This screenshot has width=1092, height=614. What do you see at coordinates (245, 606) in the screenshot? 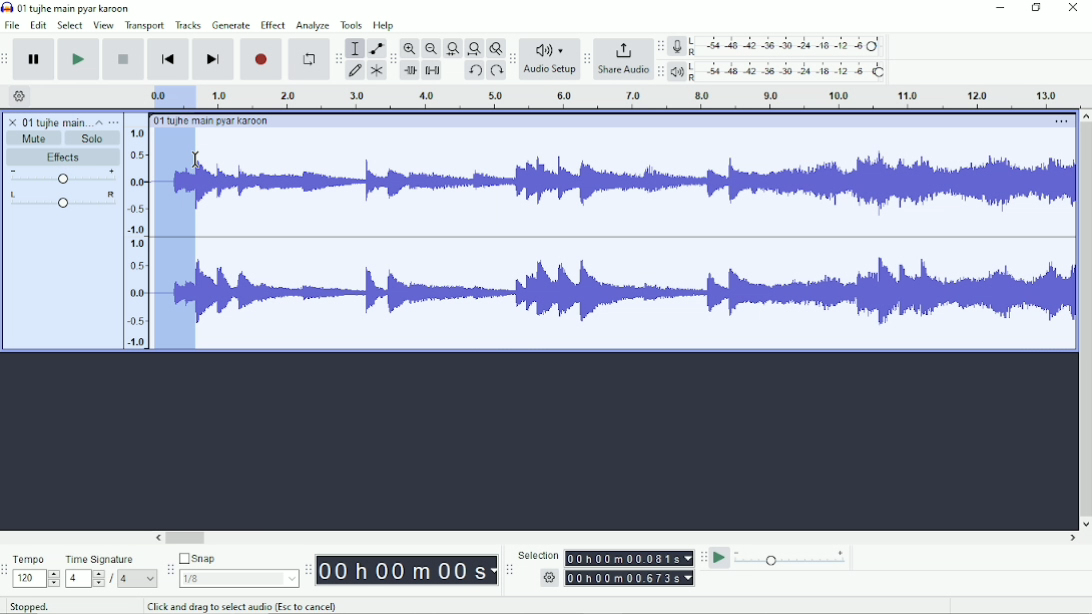
I see `Click and drag to select audio(Esc to cancel)` at bounding box center [245, 606].